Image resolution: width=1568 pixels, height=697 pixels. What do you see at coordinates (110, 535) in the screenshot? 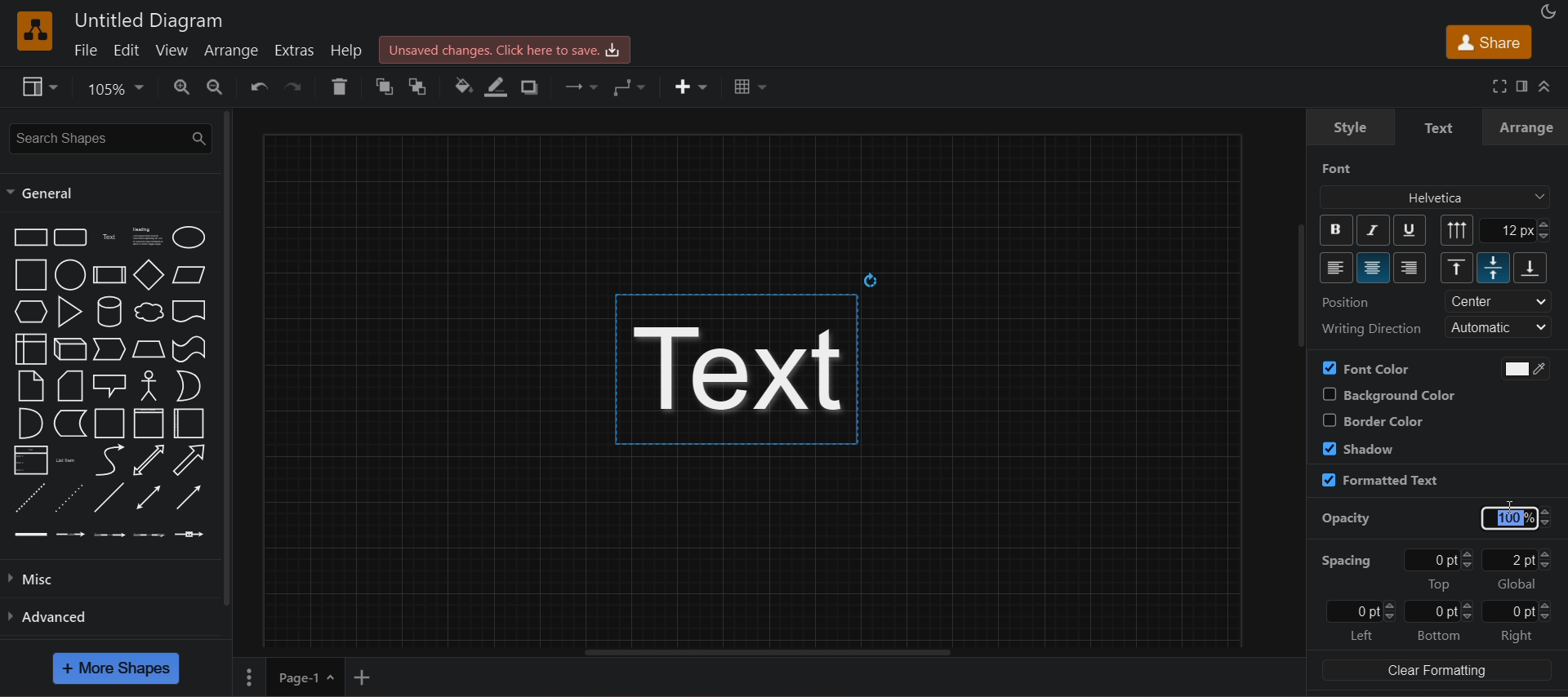
I see `connector with 2 labels` at bounding box center [110, 535].